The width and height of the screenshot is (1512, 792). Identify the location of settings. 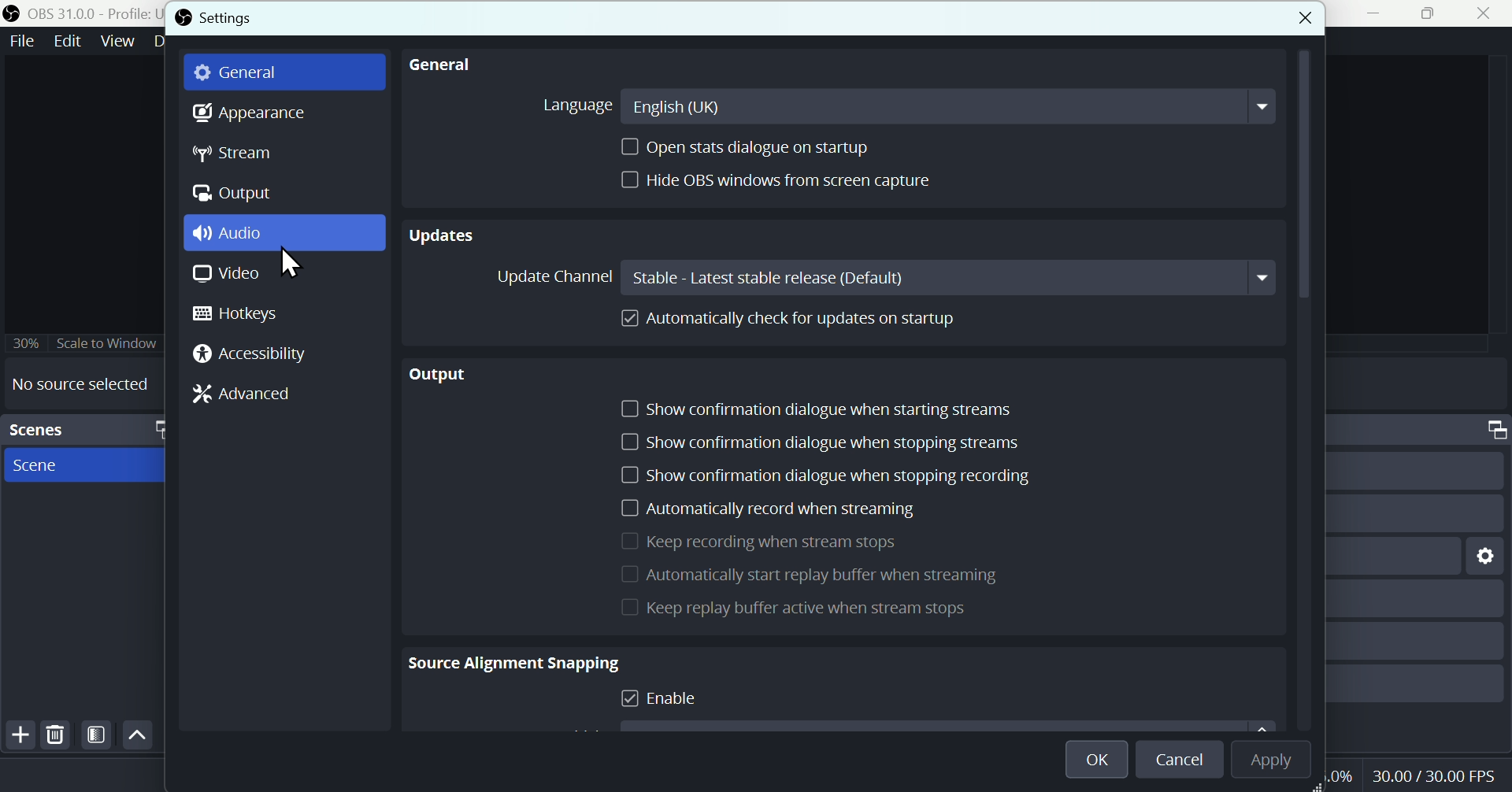
(1487, 557).